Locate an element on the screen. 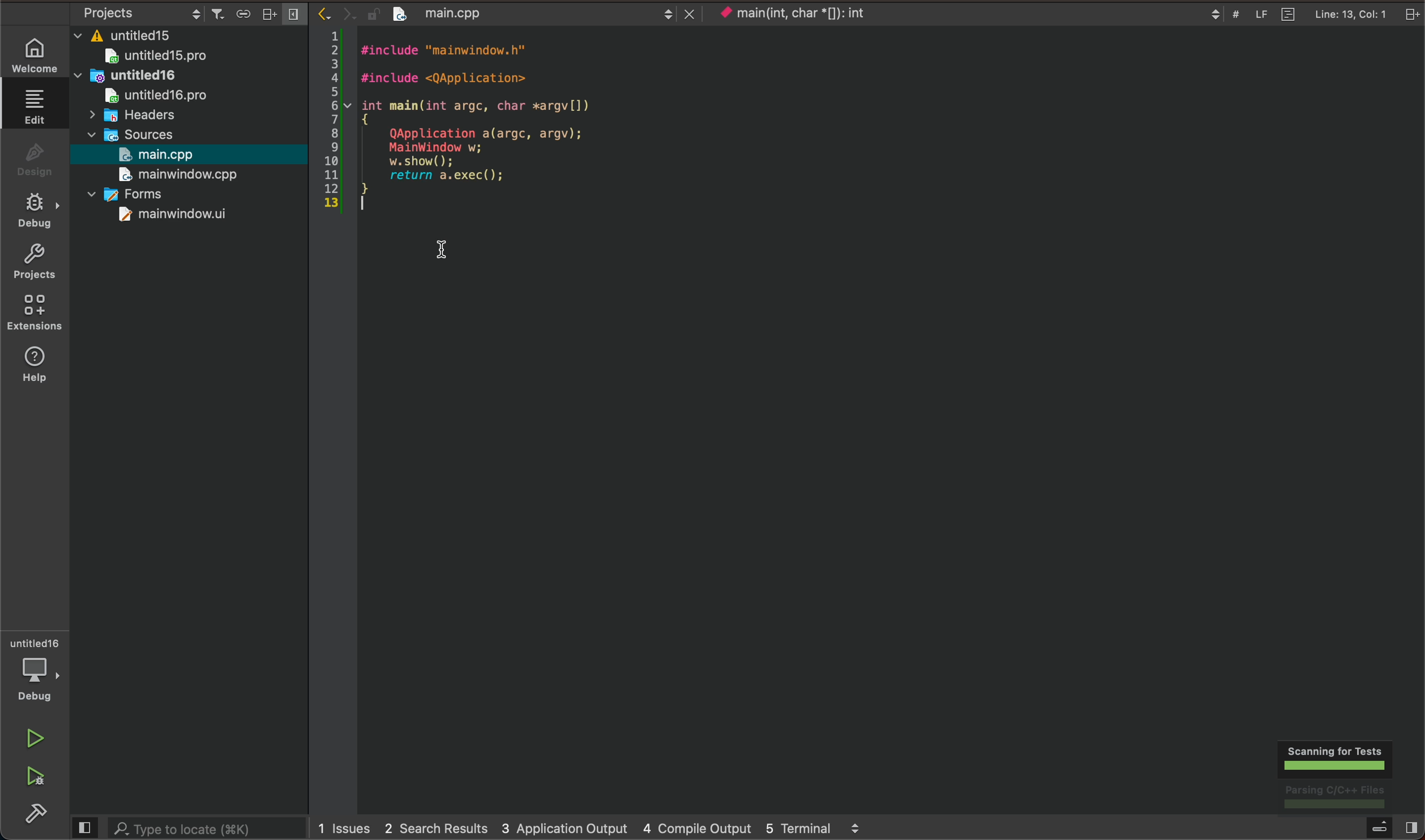  close is located at coordinates (683, 14).